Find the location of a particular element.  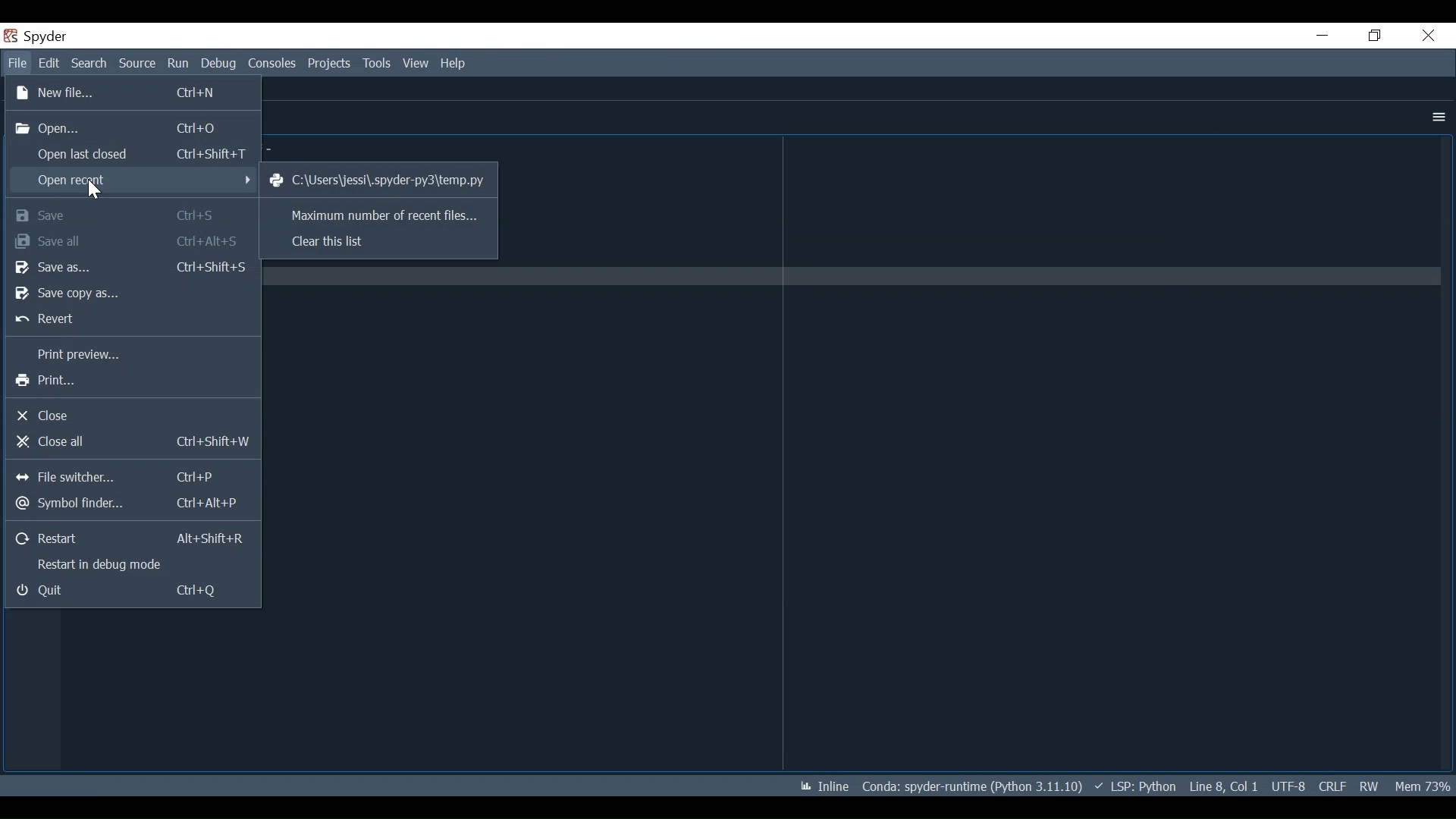

Help is located at coordinates (453, 64).